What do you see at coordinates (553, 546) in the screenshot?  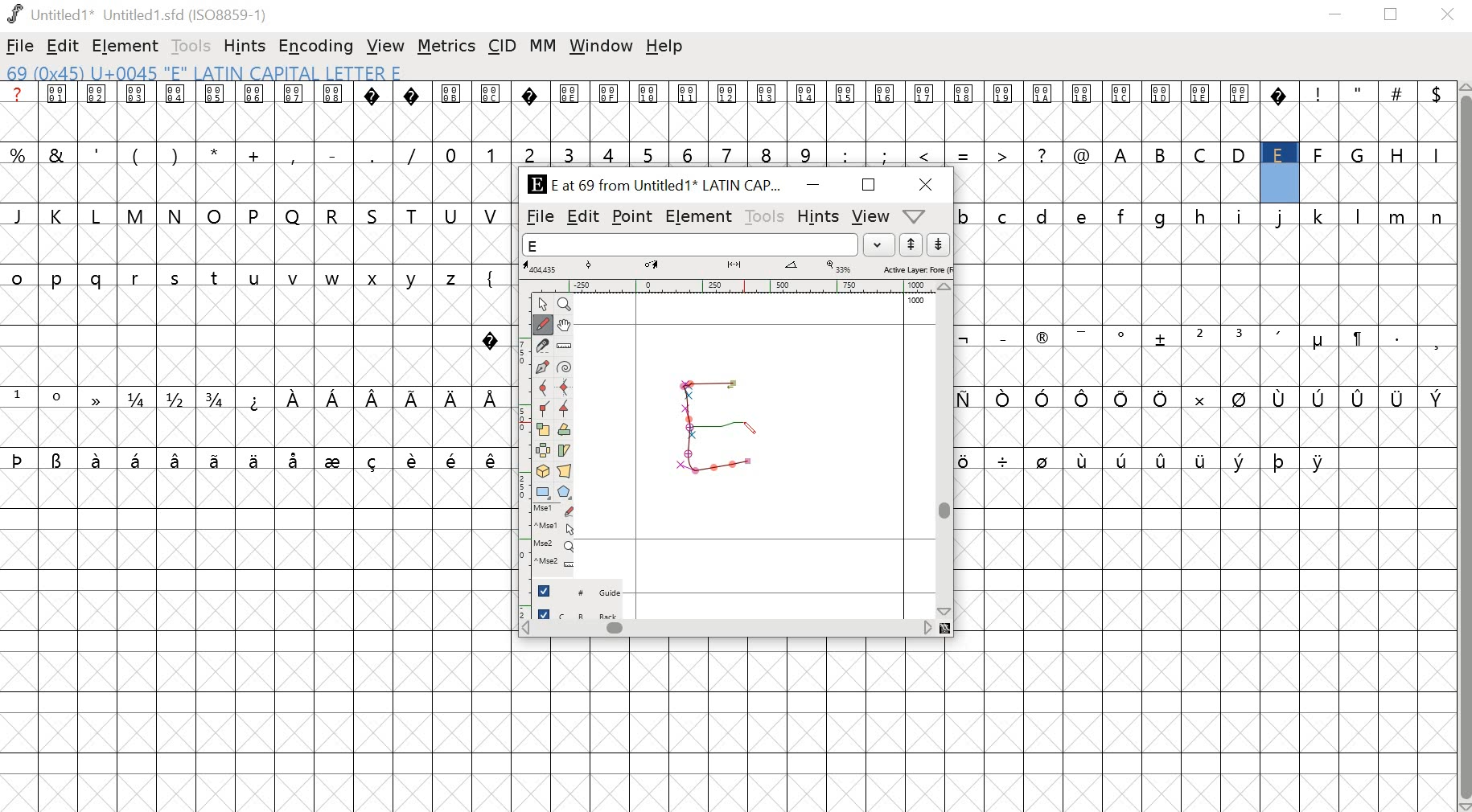 I see `Mouse wheel button` at bounding box center [553, 546].